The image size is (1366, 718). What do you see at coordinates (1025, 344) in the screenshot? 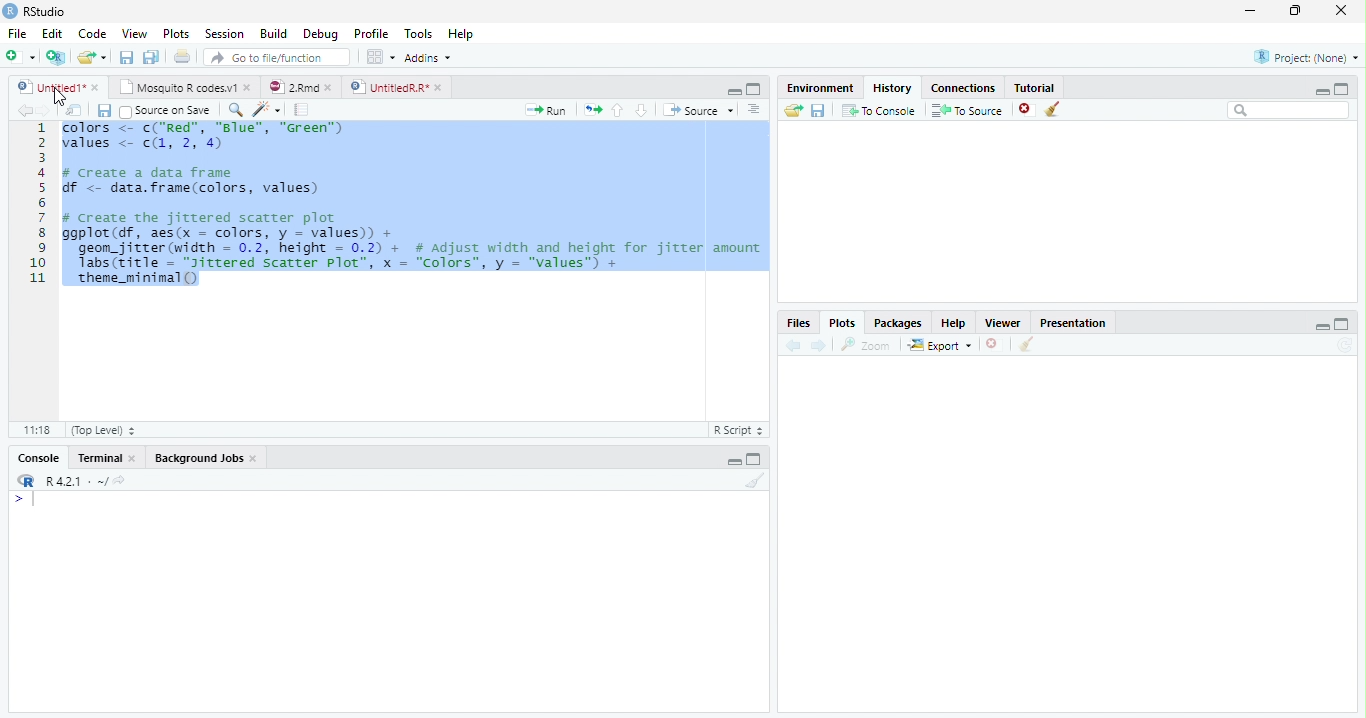
I see `Clear all plots` at bounding box center [1025, 344].